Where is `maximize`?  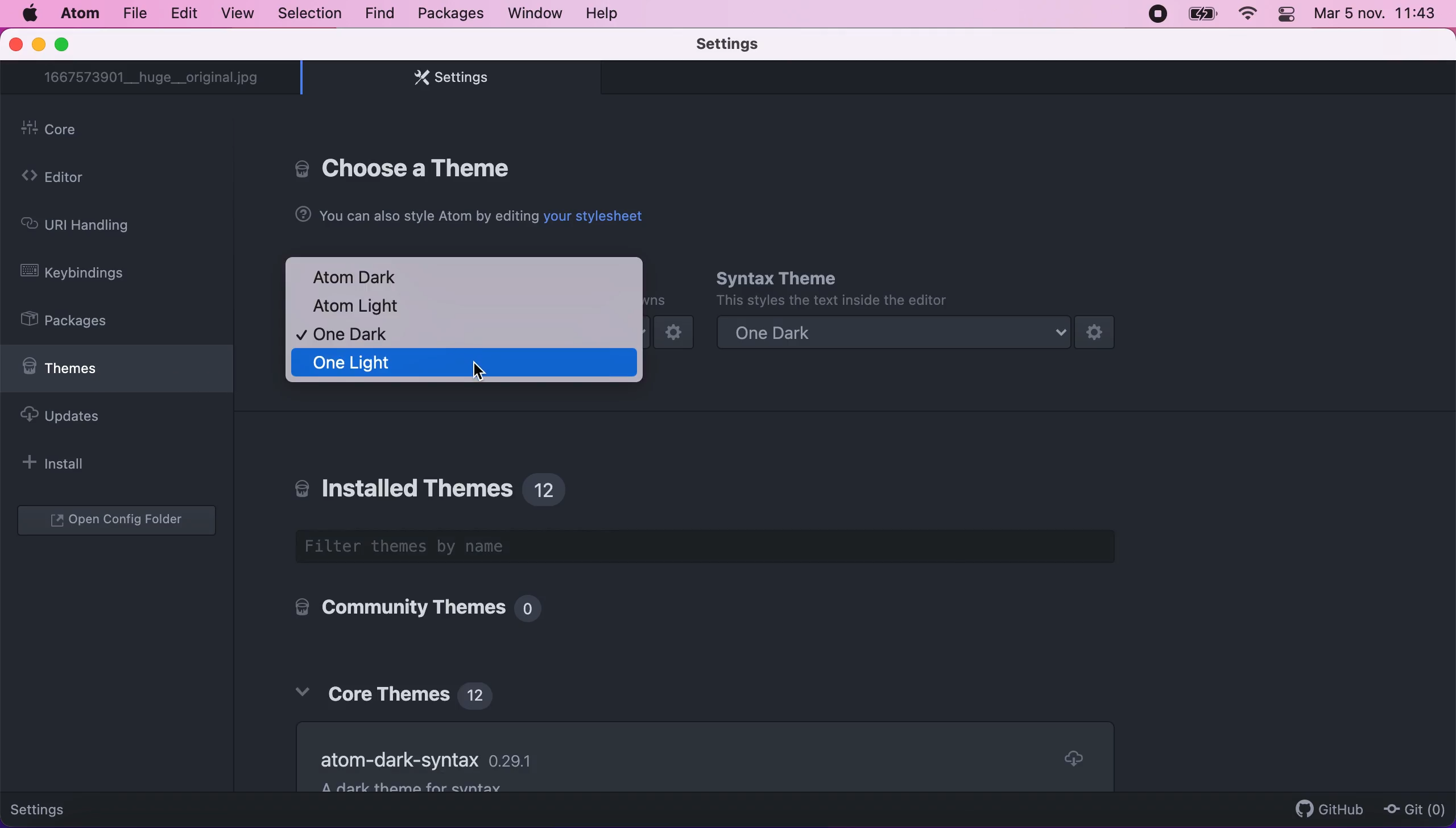 maximize is located at coordinates (73, 45).